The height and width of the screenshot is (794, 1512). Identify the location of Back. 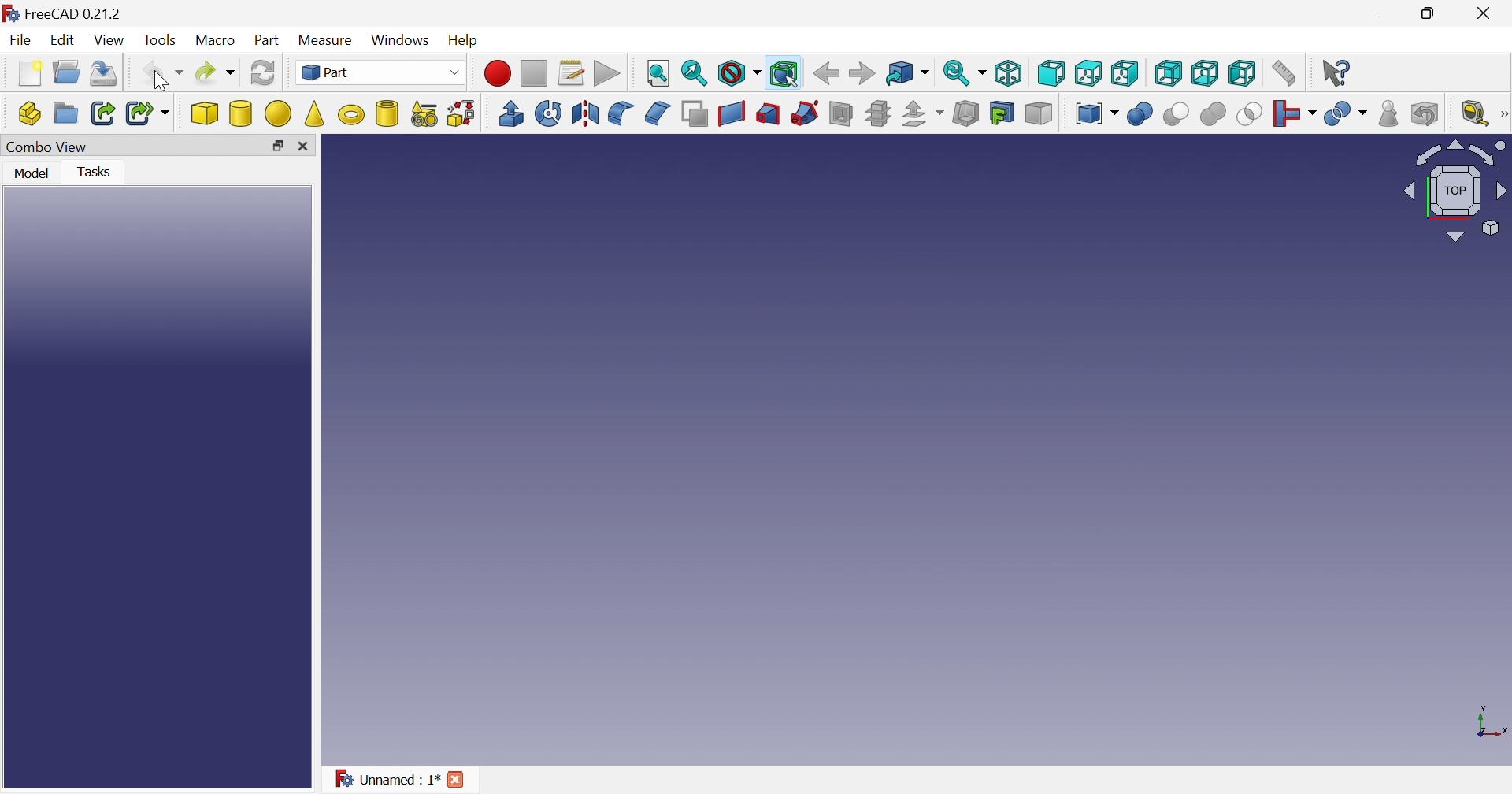
(825, 73).